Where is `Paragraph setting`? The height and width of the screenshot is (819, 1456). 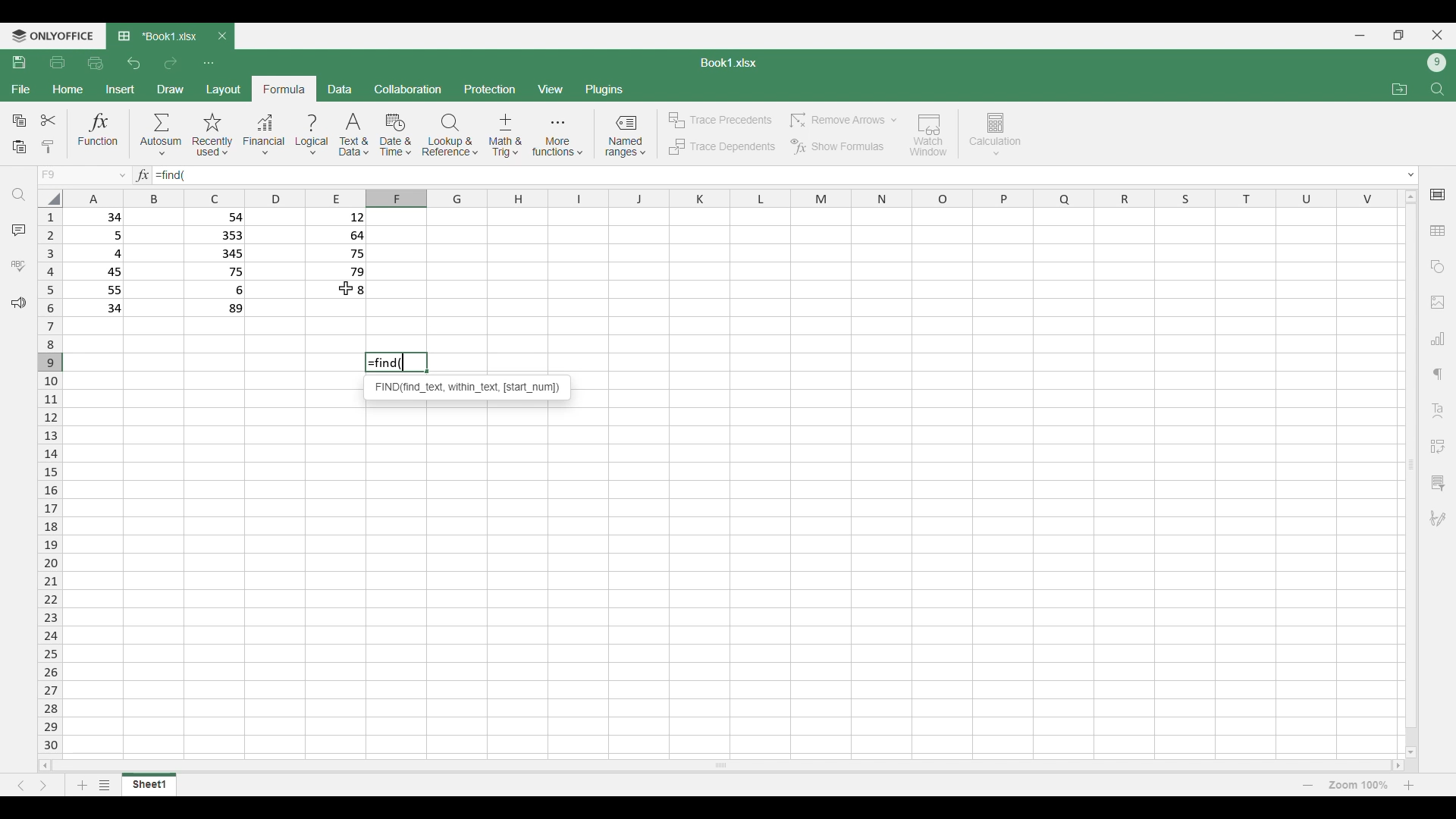
Paragraph setting is located at coordinates (1439, 375).